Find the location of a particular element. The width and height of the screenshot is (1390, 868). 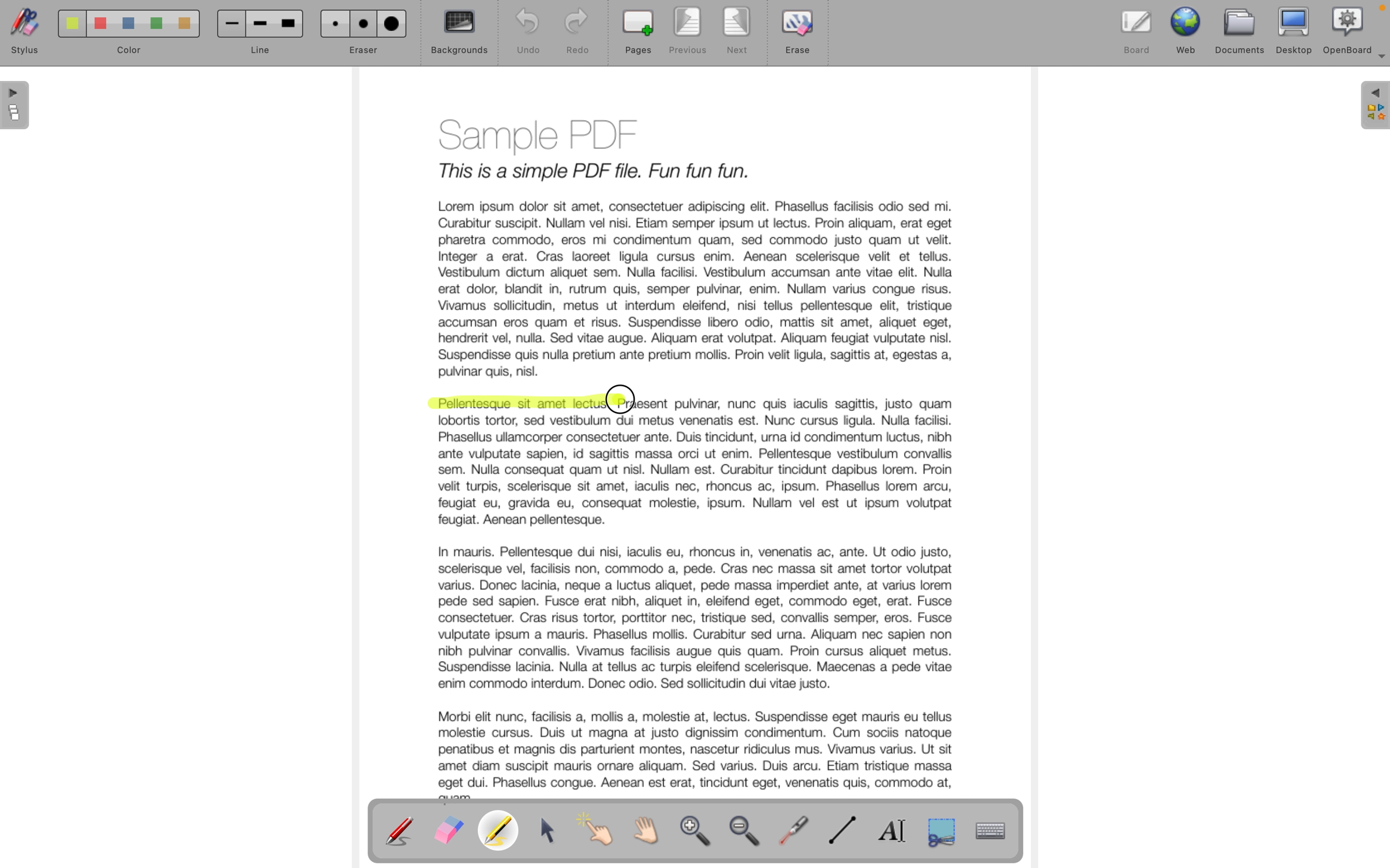

pdf text is located at coordinates (700, 607).